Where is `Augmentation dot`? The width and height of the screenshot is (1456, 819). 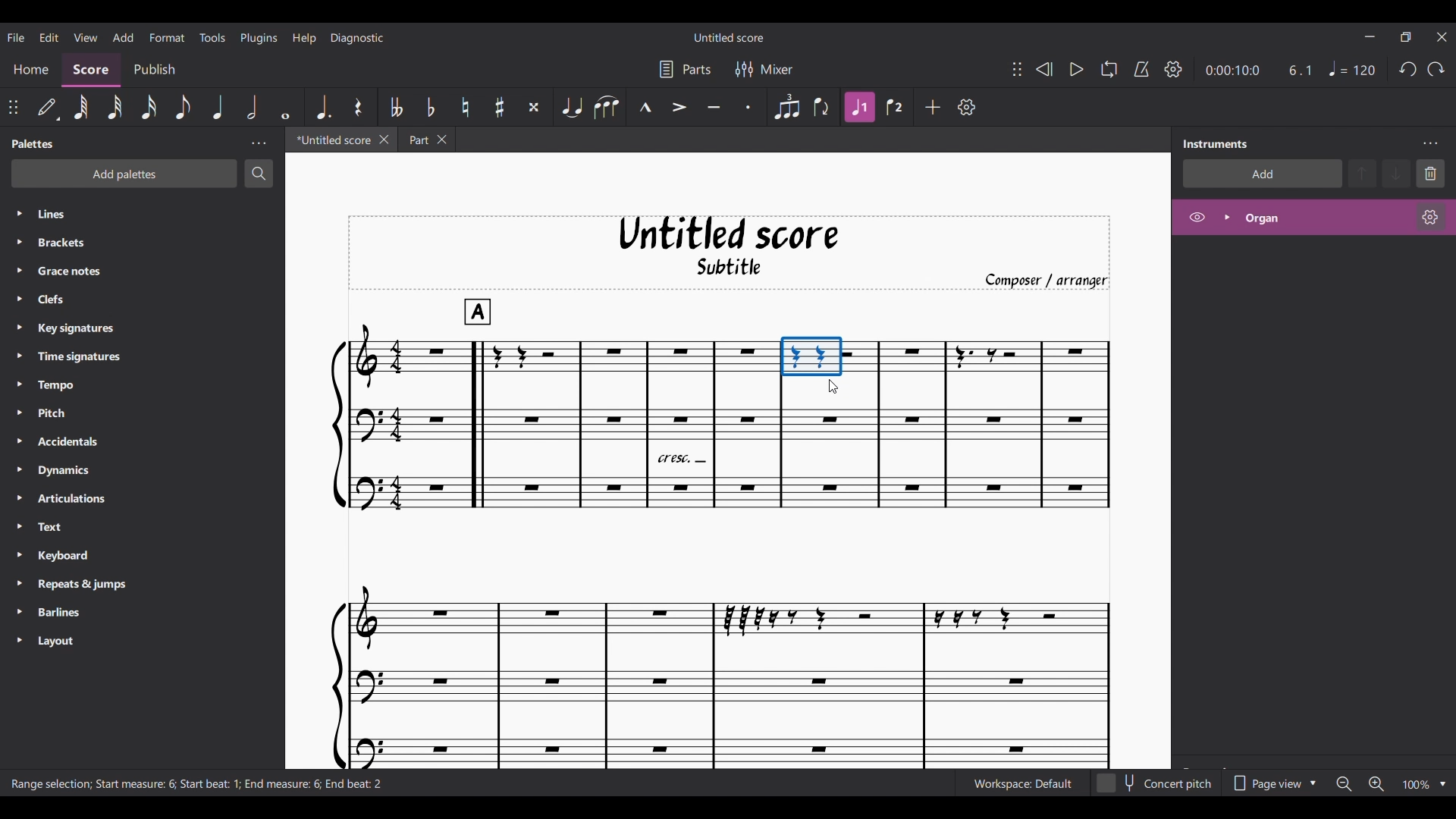
Augmentation dot is located at coordinates (323, 106).